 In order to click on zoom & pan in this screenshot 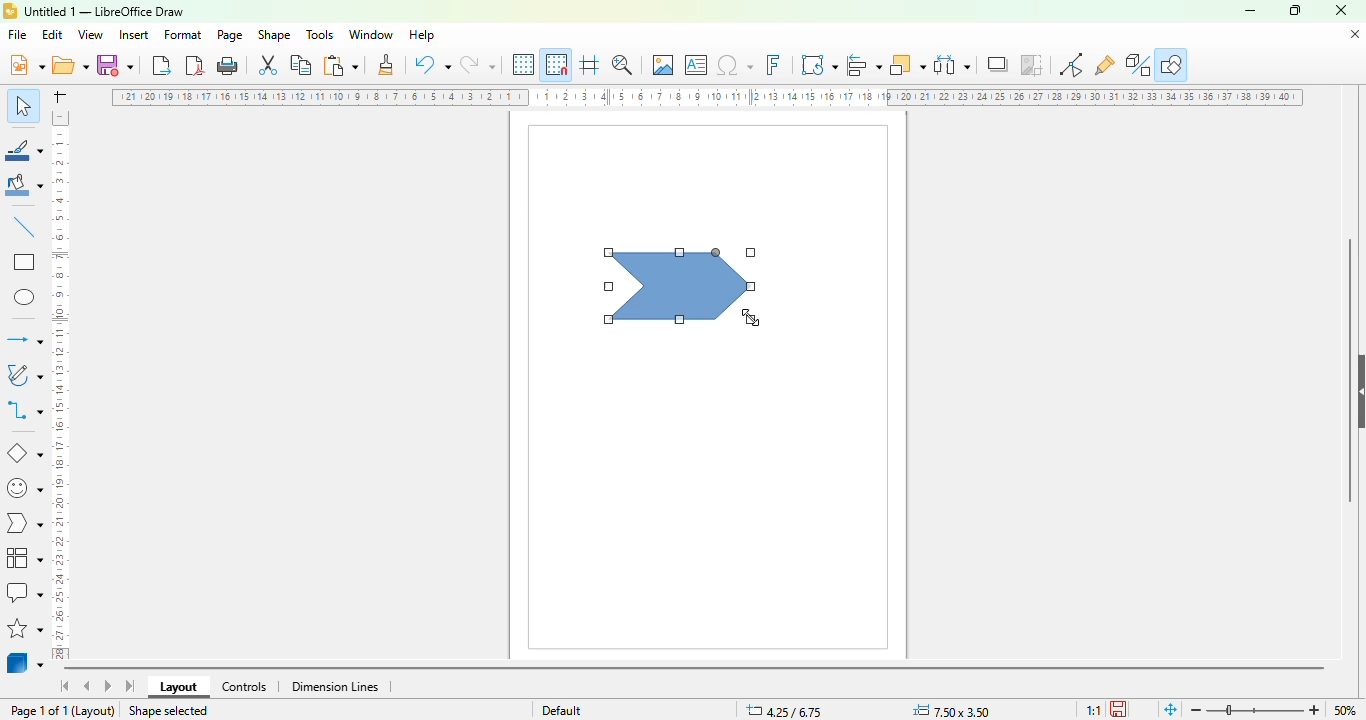, I will do `click(622, 64)`.